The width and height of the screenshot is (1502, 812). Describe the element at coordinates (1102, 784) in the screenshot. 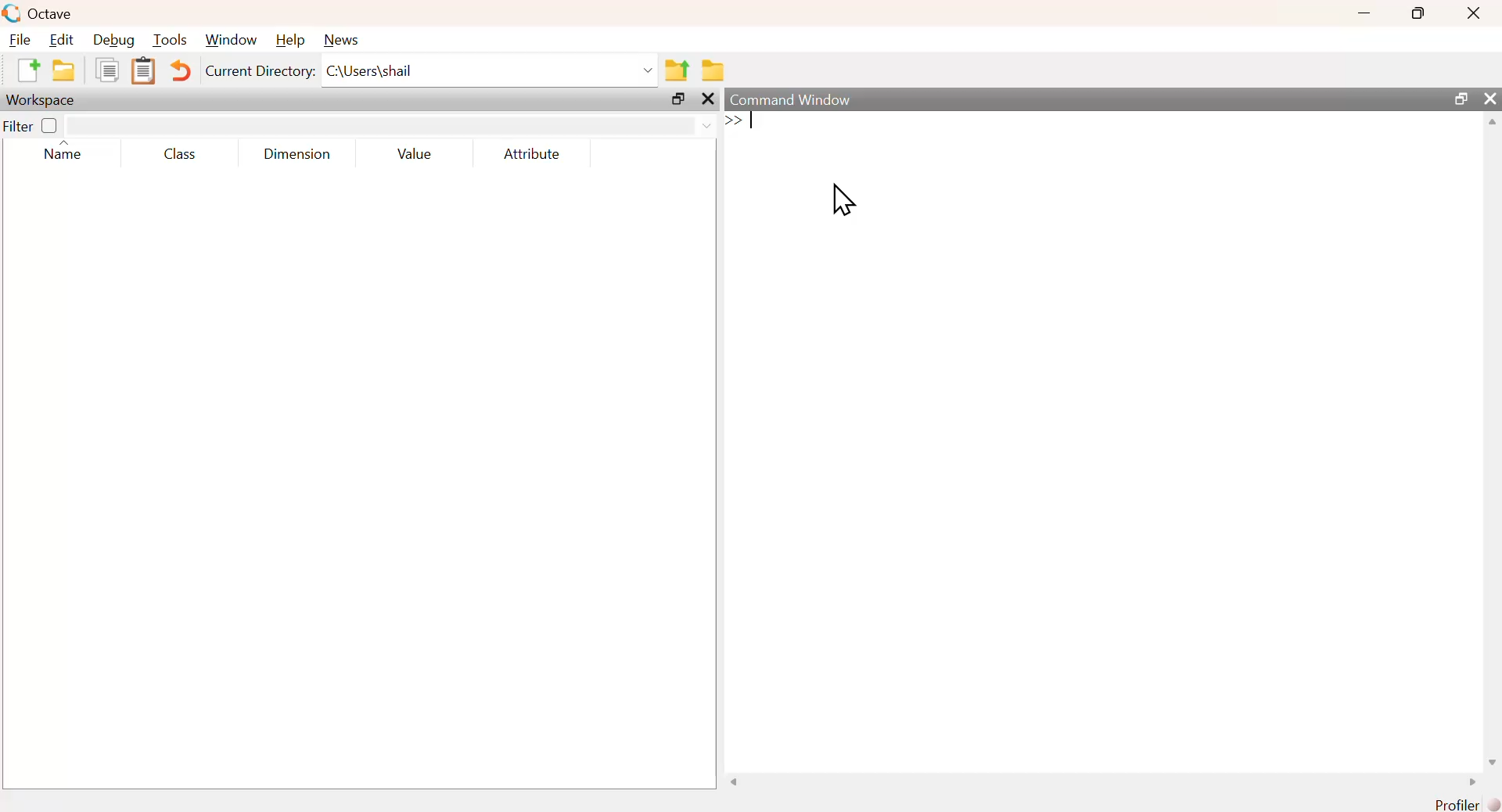

I see `scrollbar` at that location.